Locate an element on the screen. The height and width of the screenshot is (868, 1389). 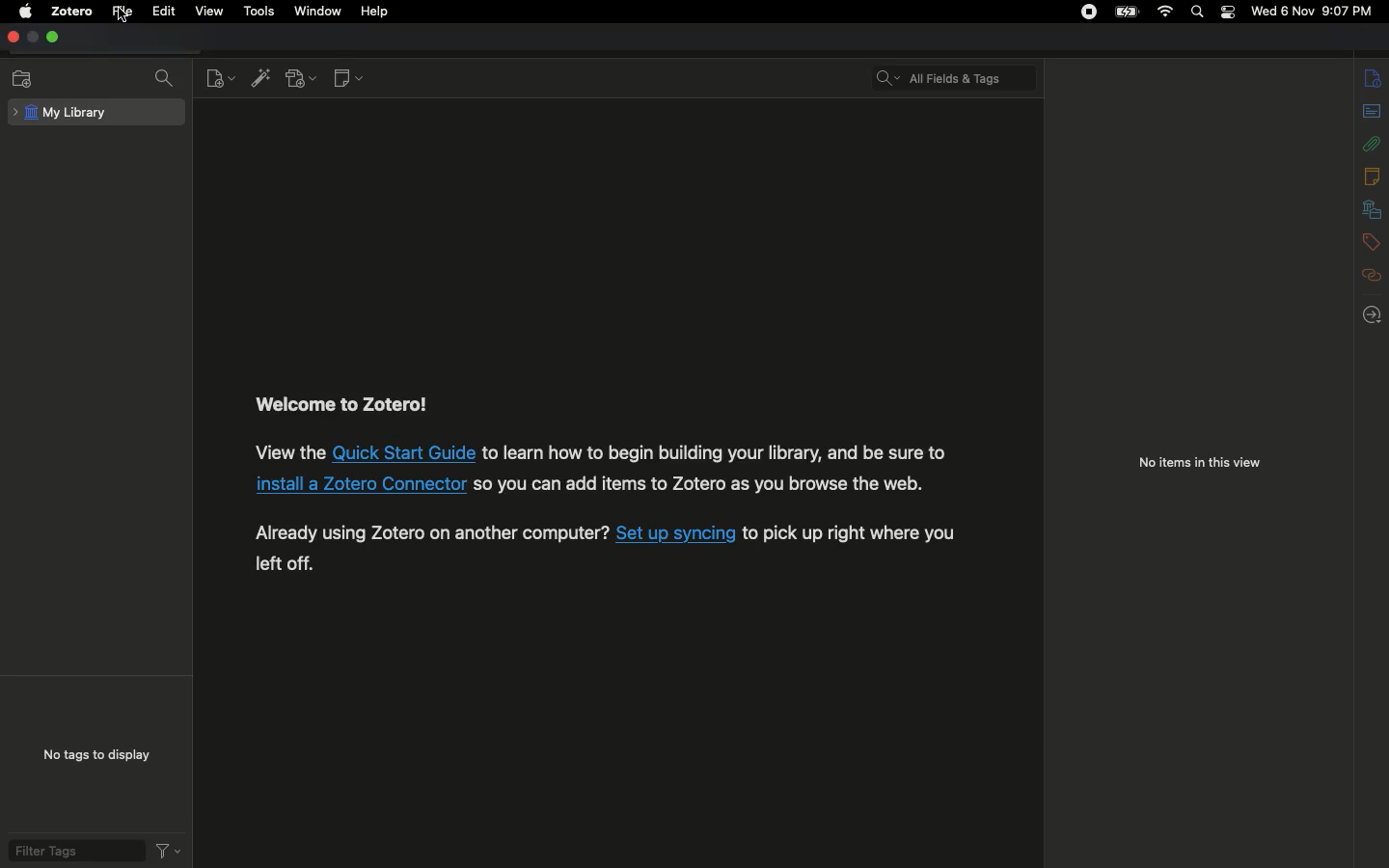
Locate is located at coordinates (1375, 314).